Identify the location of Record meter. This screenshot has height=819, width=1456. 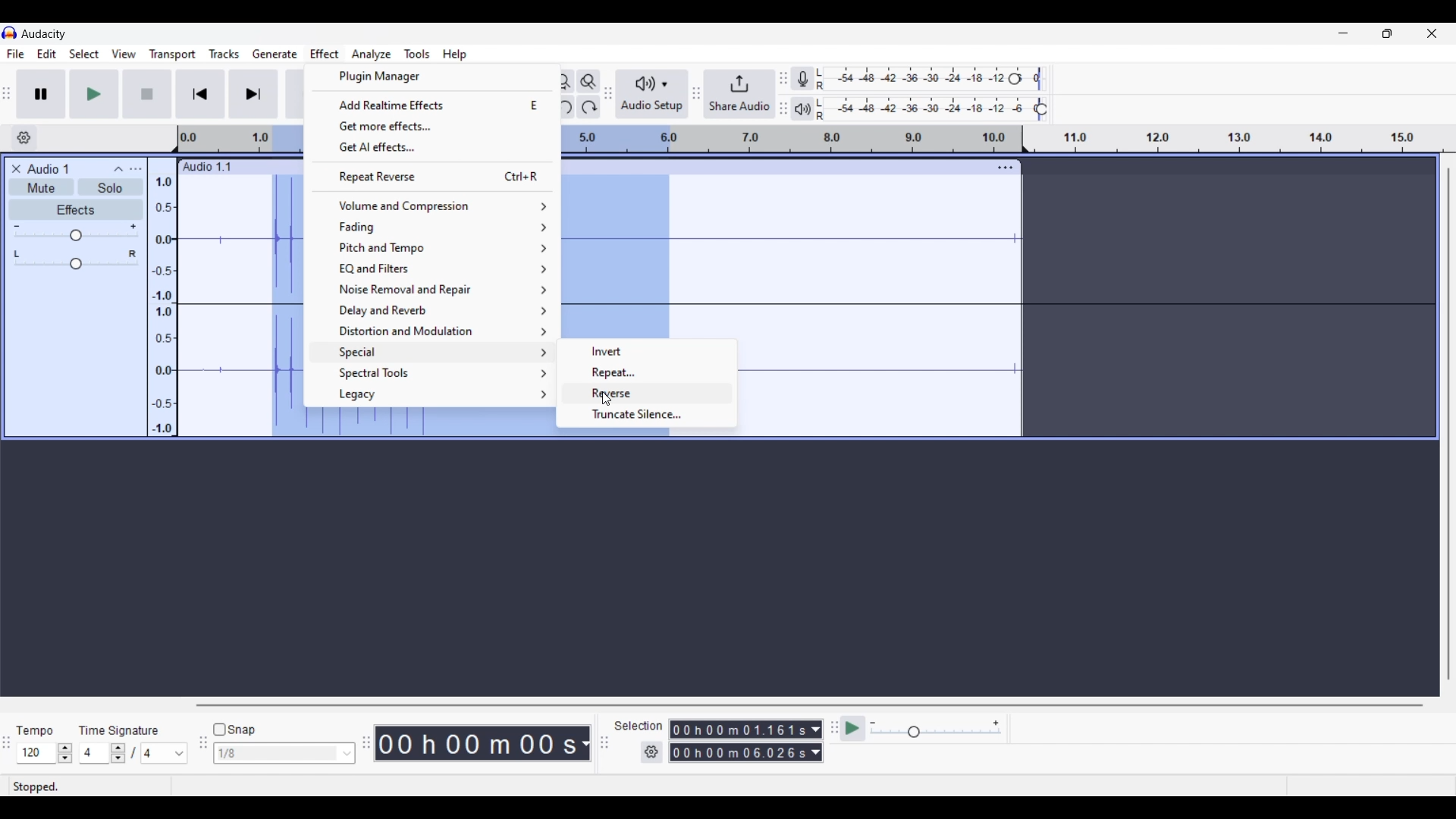
(802, 78).